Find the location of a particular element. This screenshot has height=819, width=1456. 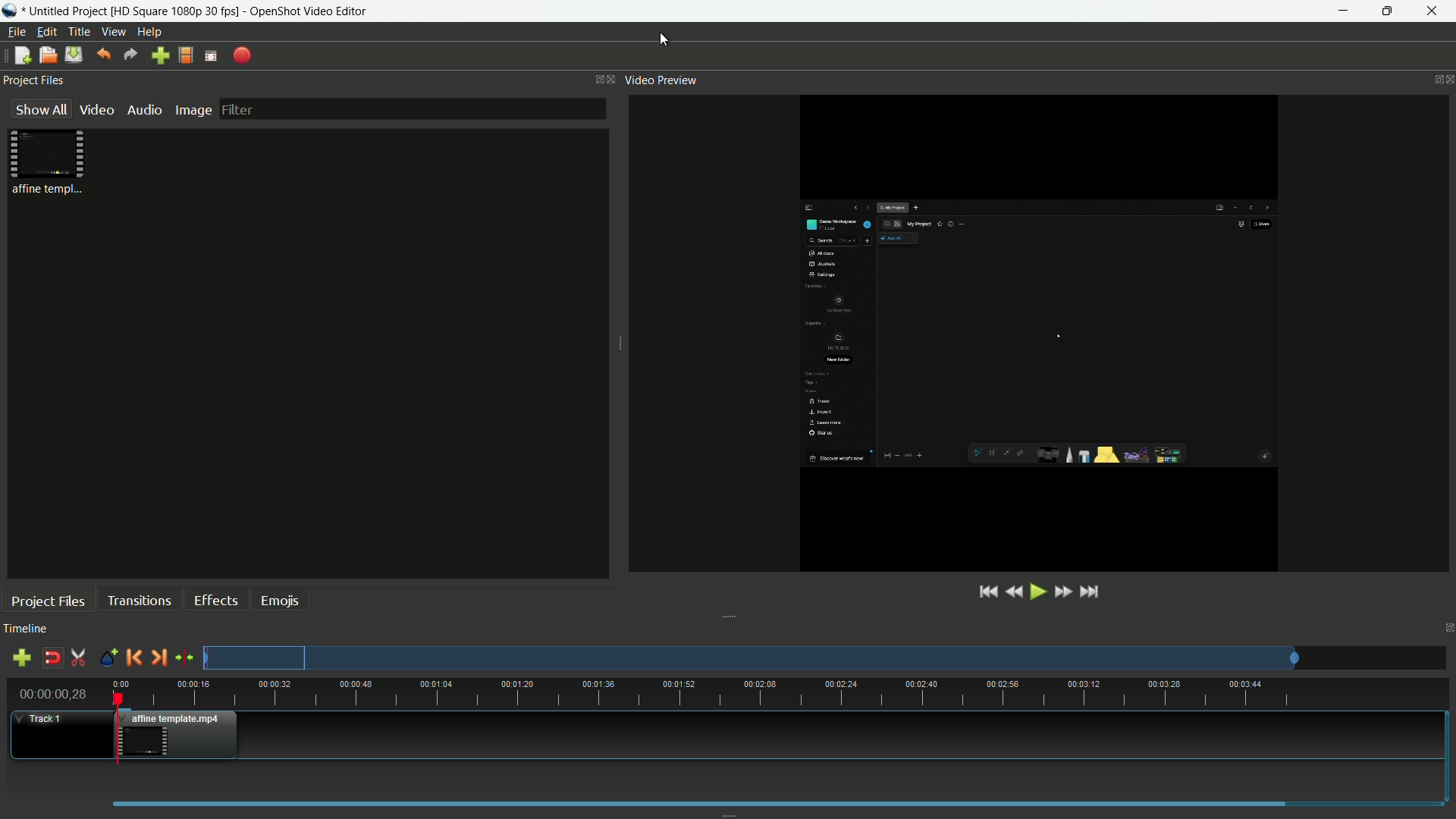

project files is located at coordinates (34, 80).